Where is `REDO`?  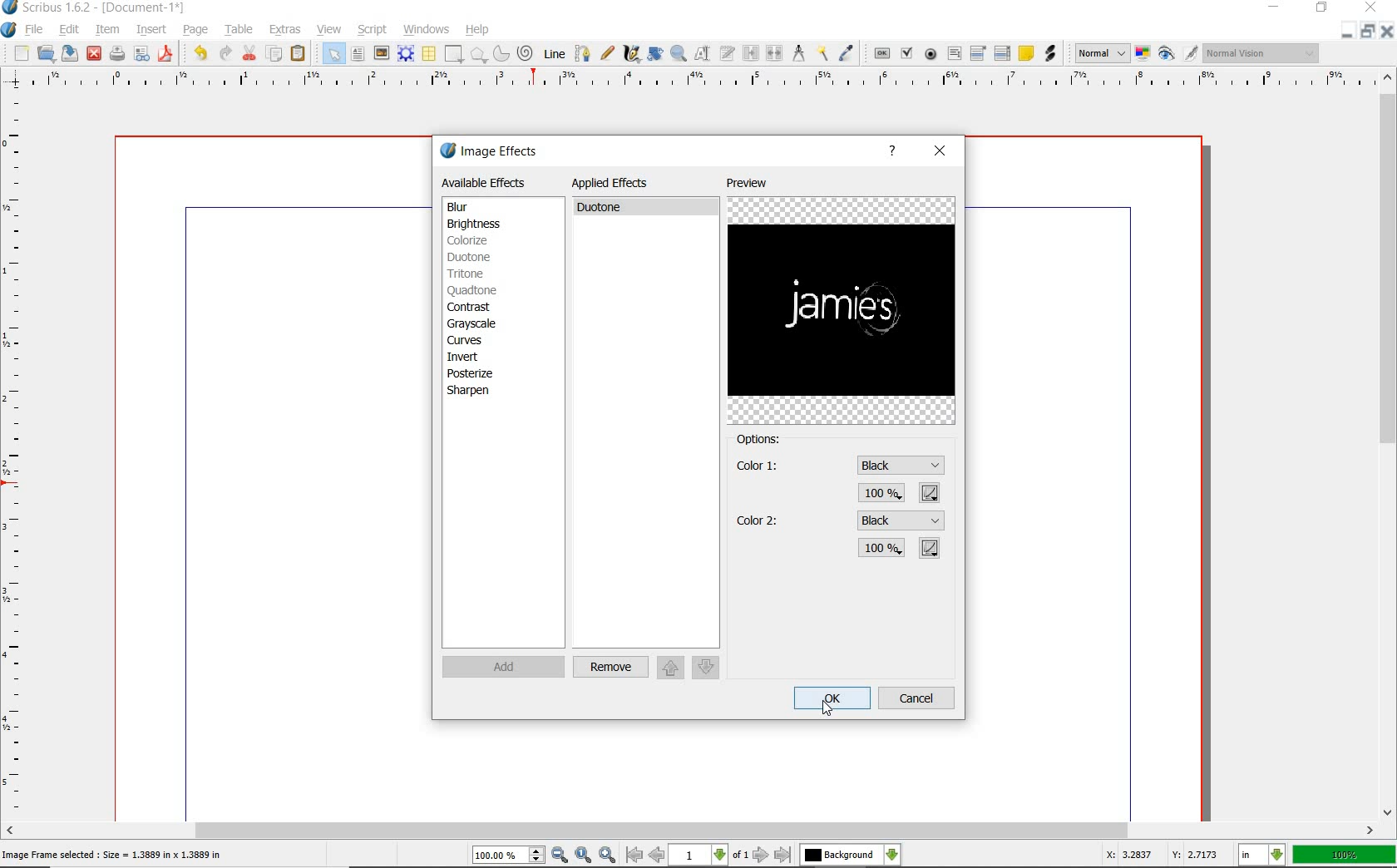
REDO is located at coordinates (199, 53).